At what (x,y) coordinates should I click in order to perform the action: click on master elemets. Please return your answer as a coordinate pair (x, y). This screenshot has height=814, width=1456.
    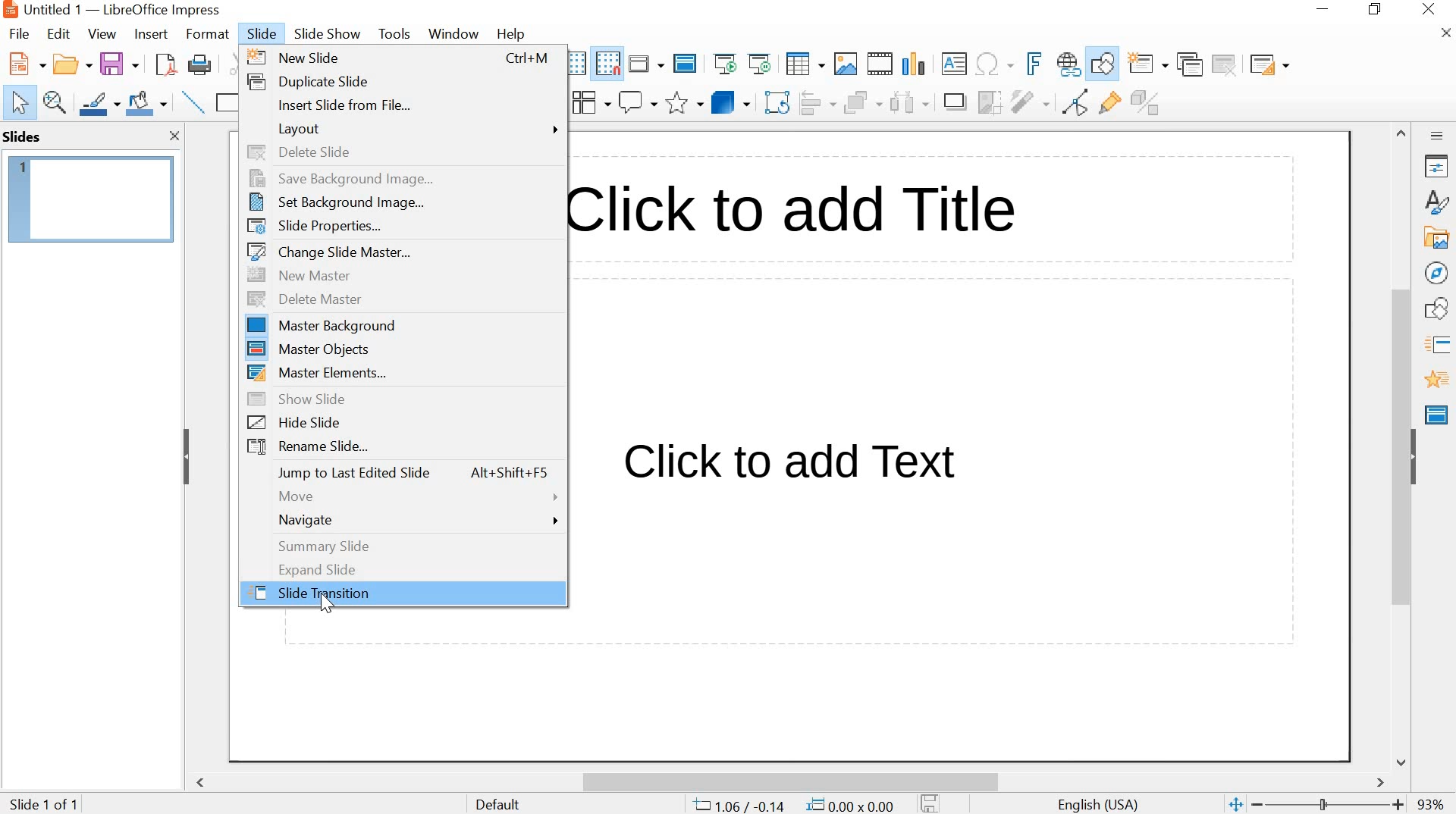
    Looking at the image, I should click on (402, 372).